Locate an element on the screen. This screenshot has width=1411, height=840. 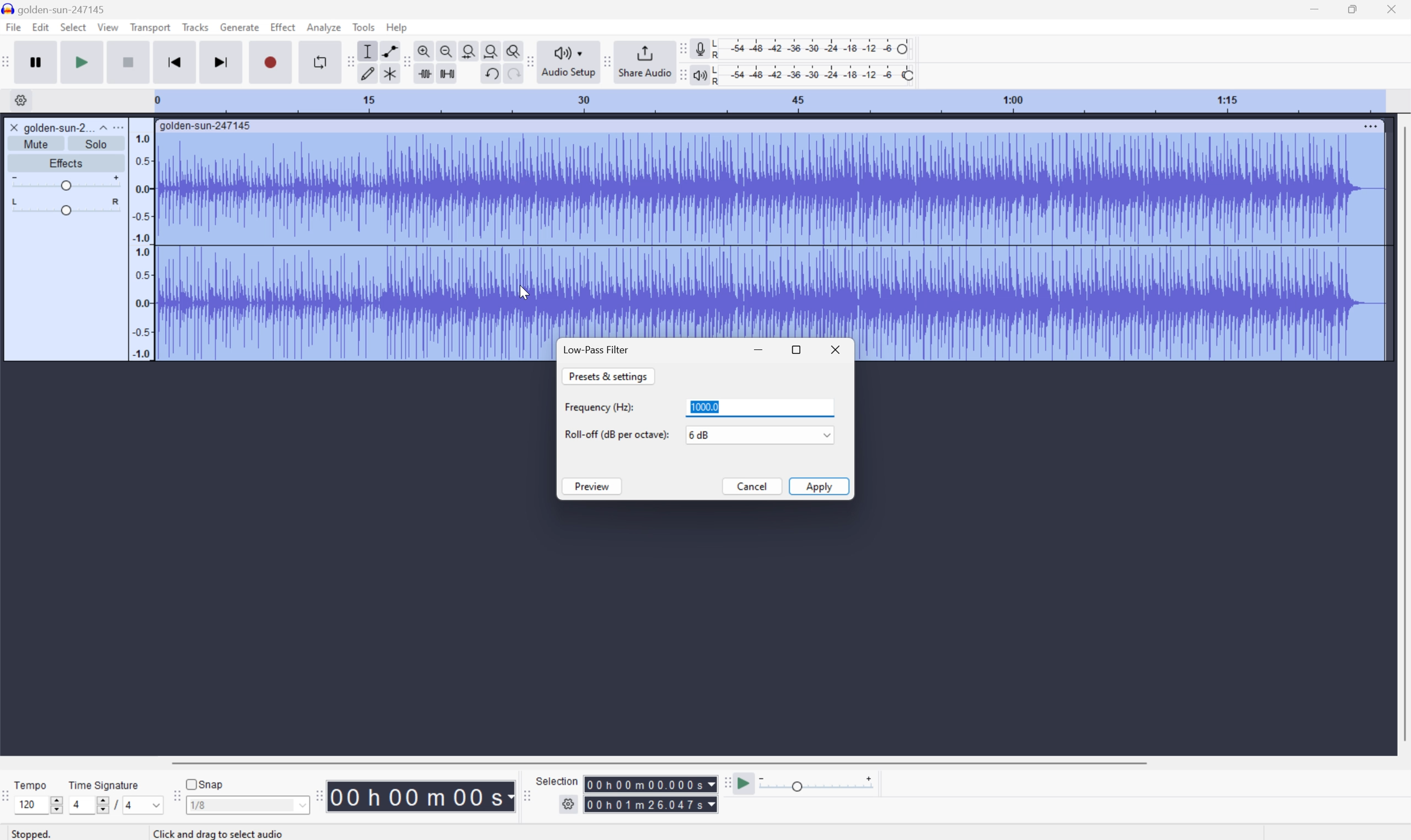
Tools is located at coordinates (363, 27).